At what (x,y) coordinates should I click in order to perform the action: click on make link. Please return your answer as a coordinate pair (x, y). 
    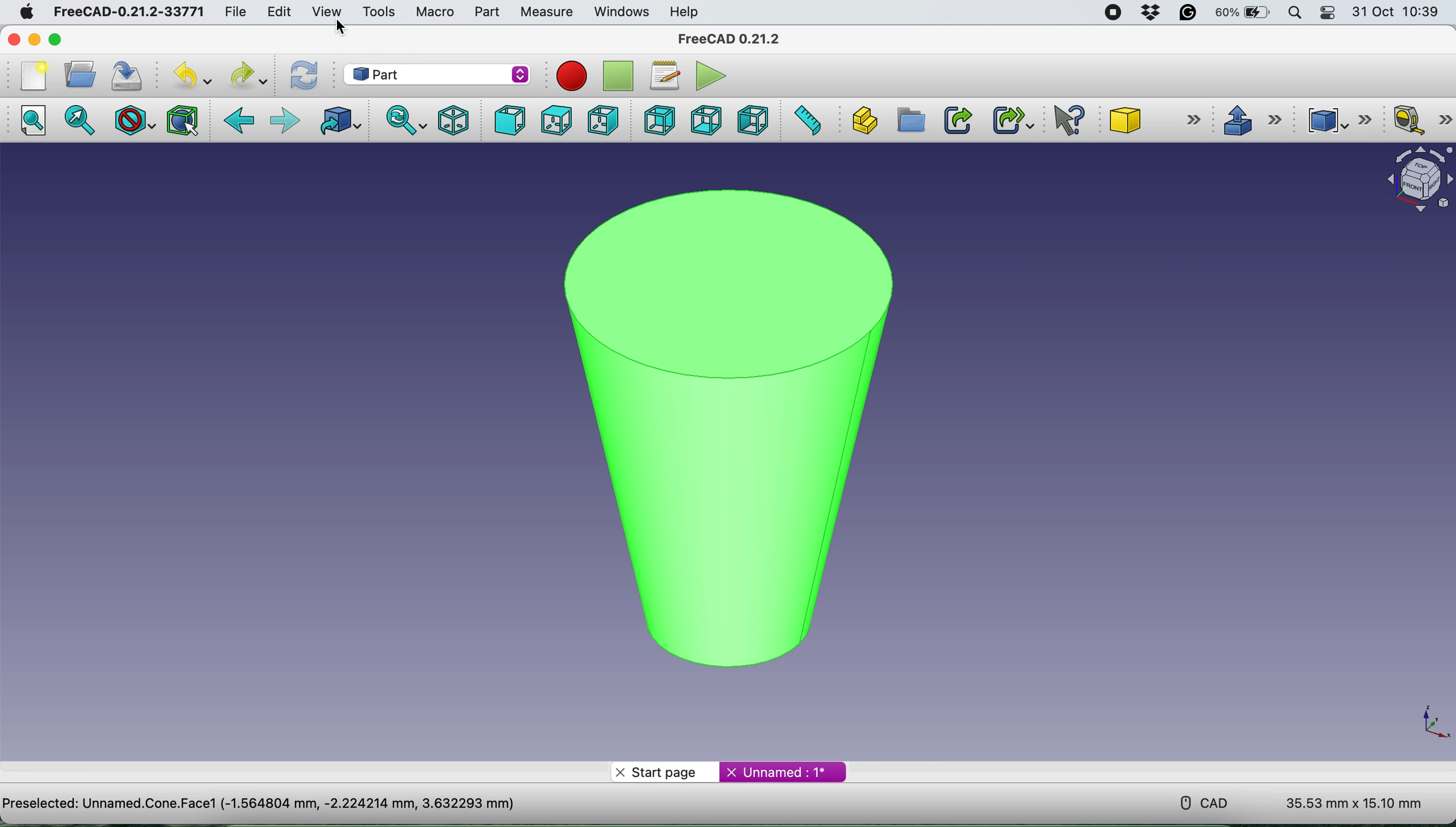
    Looking at the image, I should click on (958, 119).